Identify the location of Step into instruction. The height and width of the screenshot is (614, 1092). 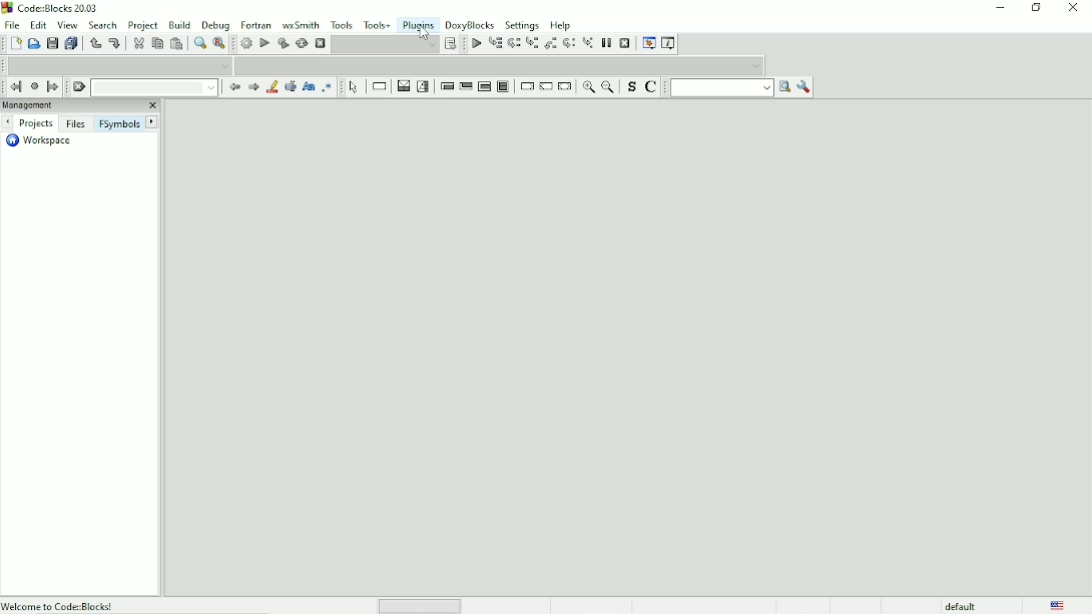
(588, 42).